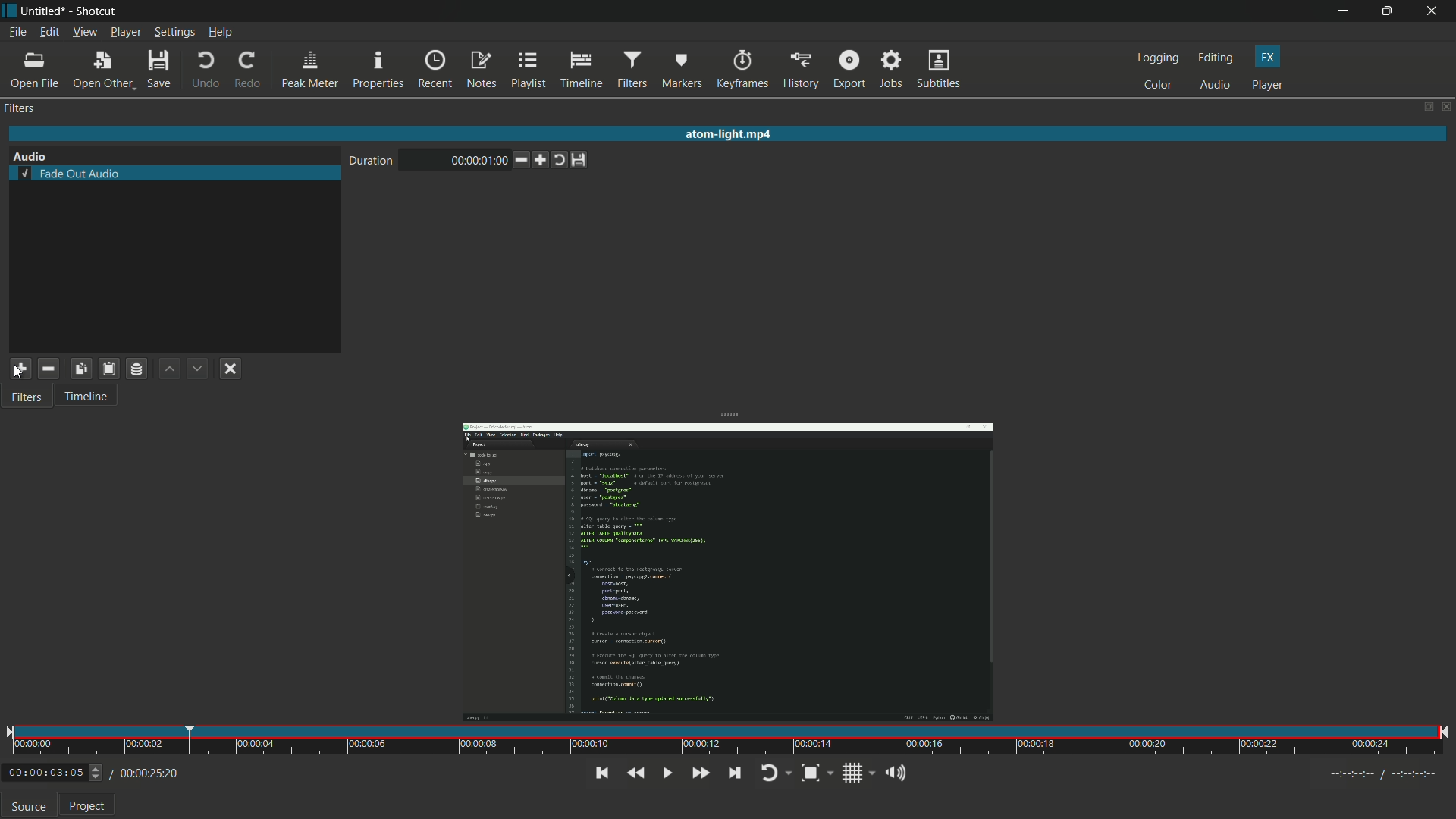  Describe the element at coordinates (682, 70) in the screenshot. I see `markers` at that location.